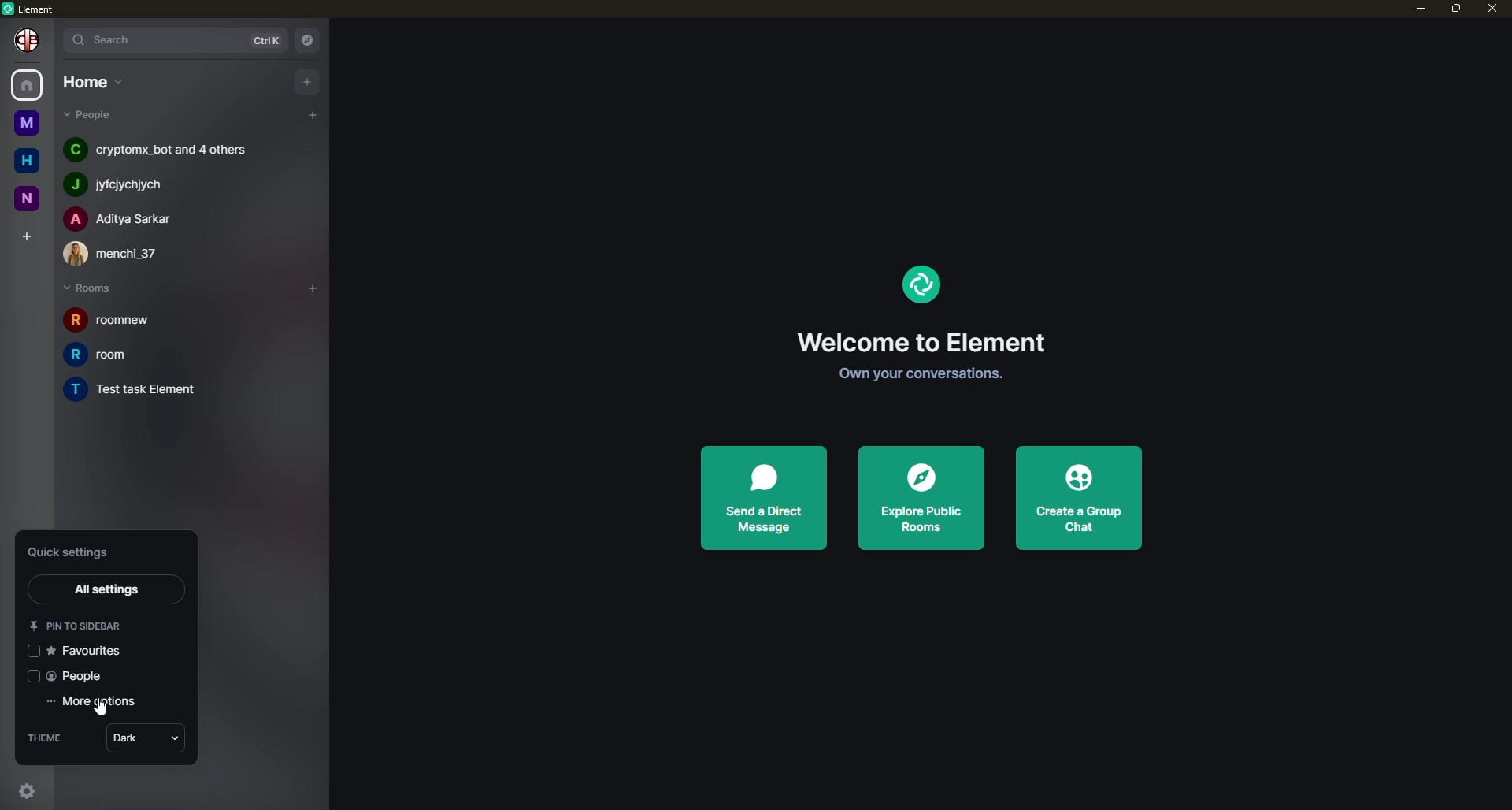 The image size is (1512, 810). What do you see at coordinates (24, 121) in the screenshot?
I see `myspace` at bounding box center [24, 121].